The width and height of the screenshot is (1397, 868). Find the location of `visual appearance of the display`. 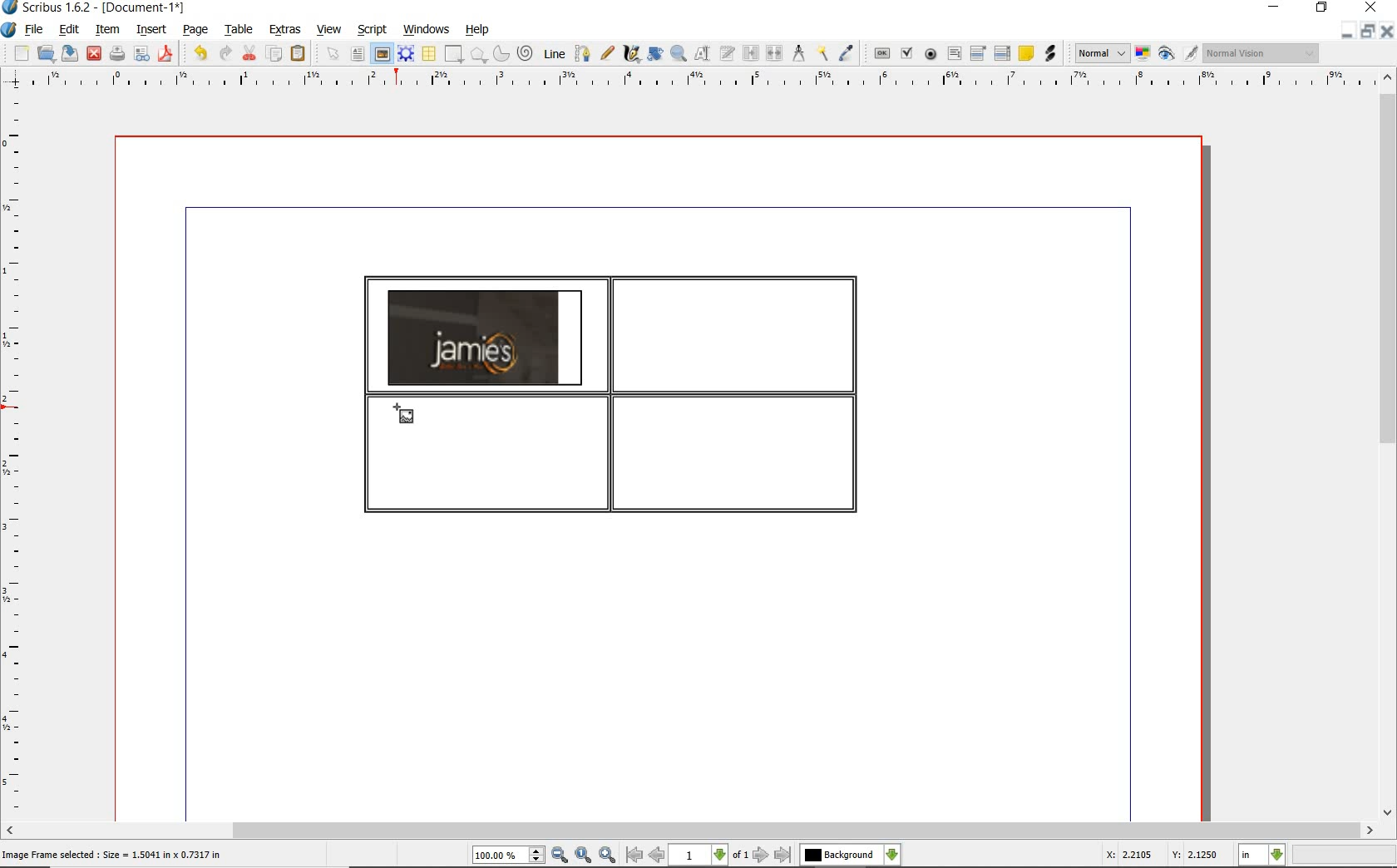

visual appearance of the display is located at coordinates (1259, 53).